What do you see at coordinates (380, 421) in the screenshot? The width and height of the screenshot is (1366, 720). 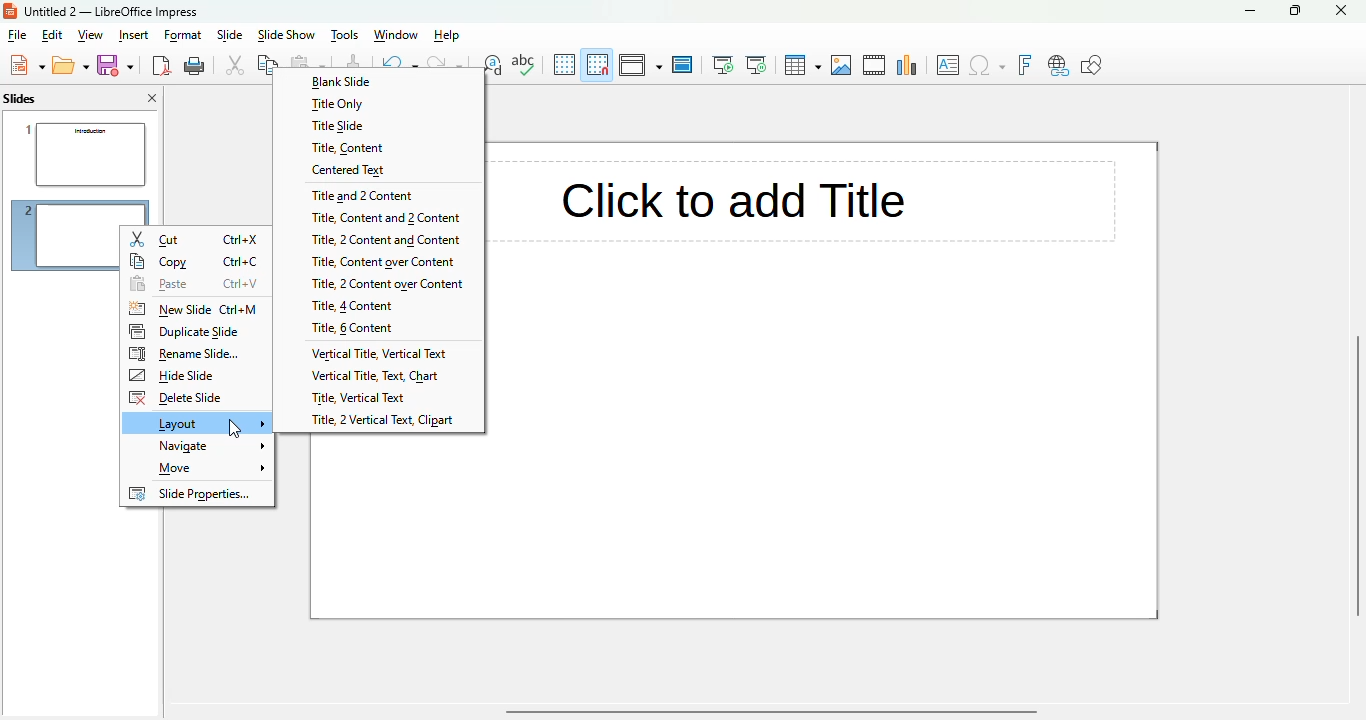 I see `title, 2 vertical text, clipart` at bounding box center [380, 421].